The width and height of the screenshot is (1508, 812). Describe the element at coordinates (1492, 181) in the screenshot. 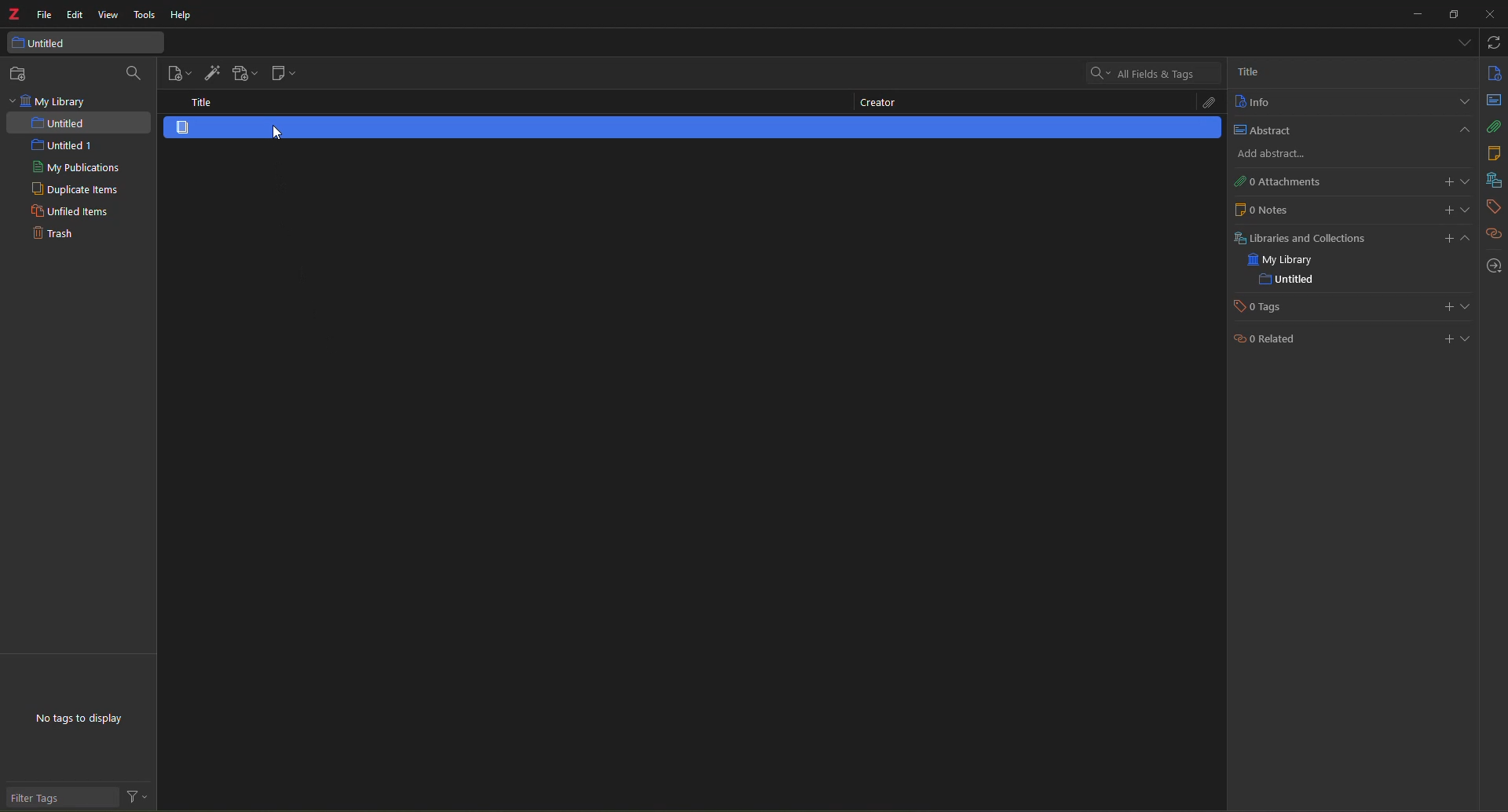

I see `library` at that location.